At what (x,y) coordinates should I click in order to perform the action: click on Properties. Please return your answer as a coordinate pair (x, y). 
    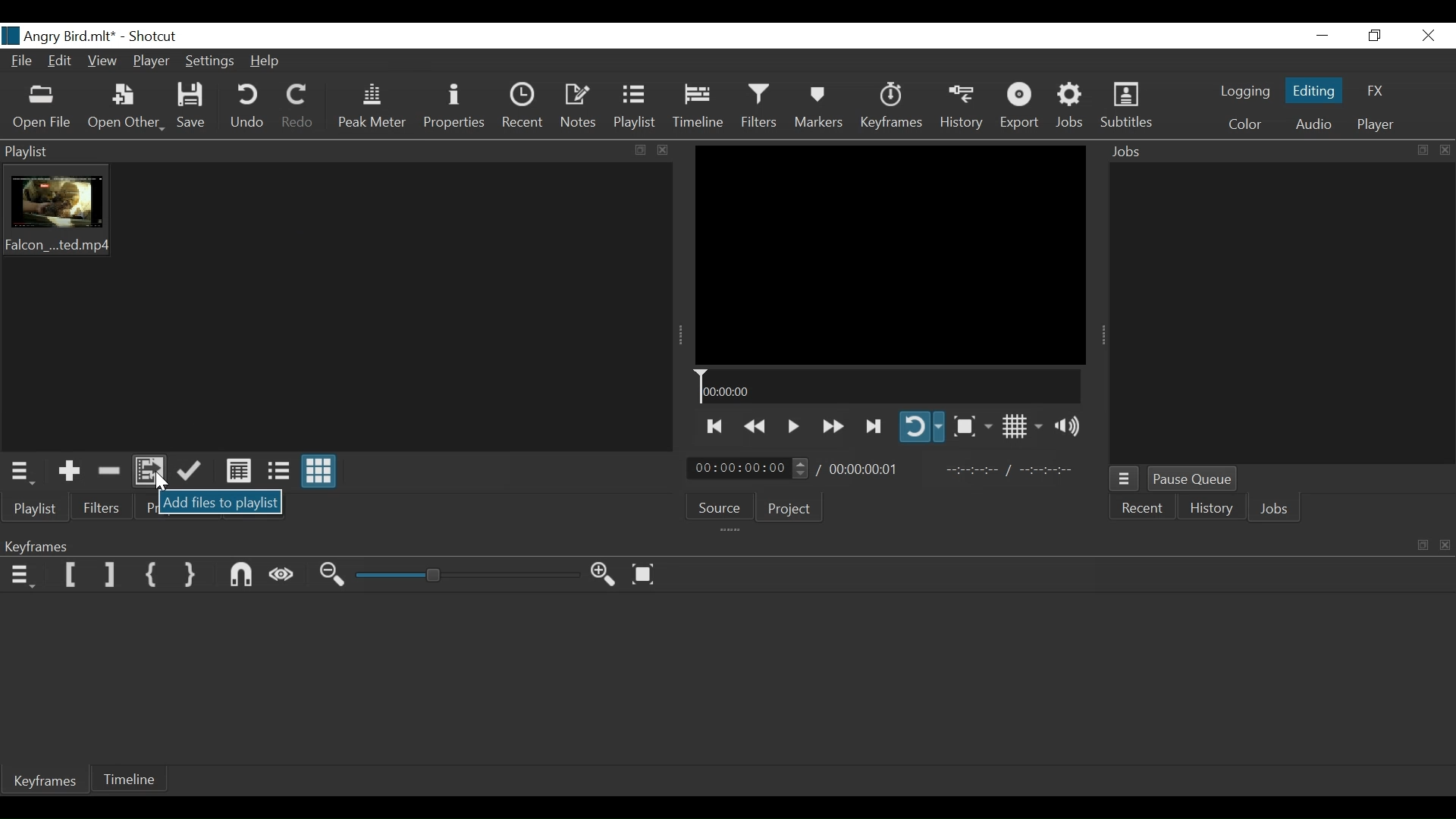
    Looking at the image, I should click on (177, 507).